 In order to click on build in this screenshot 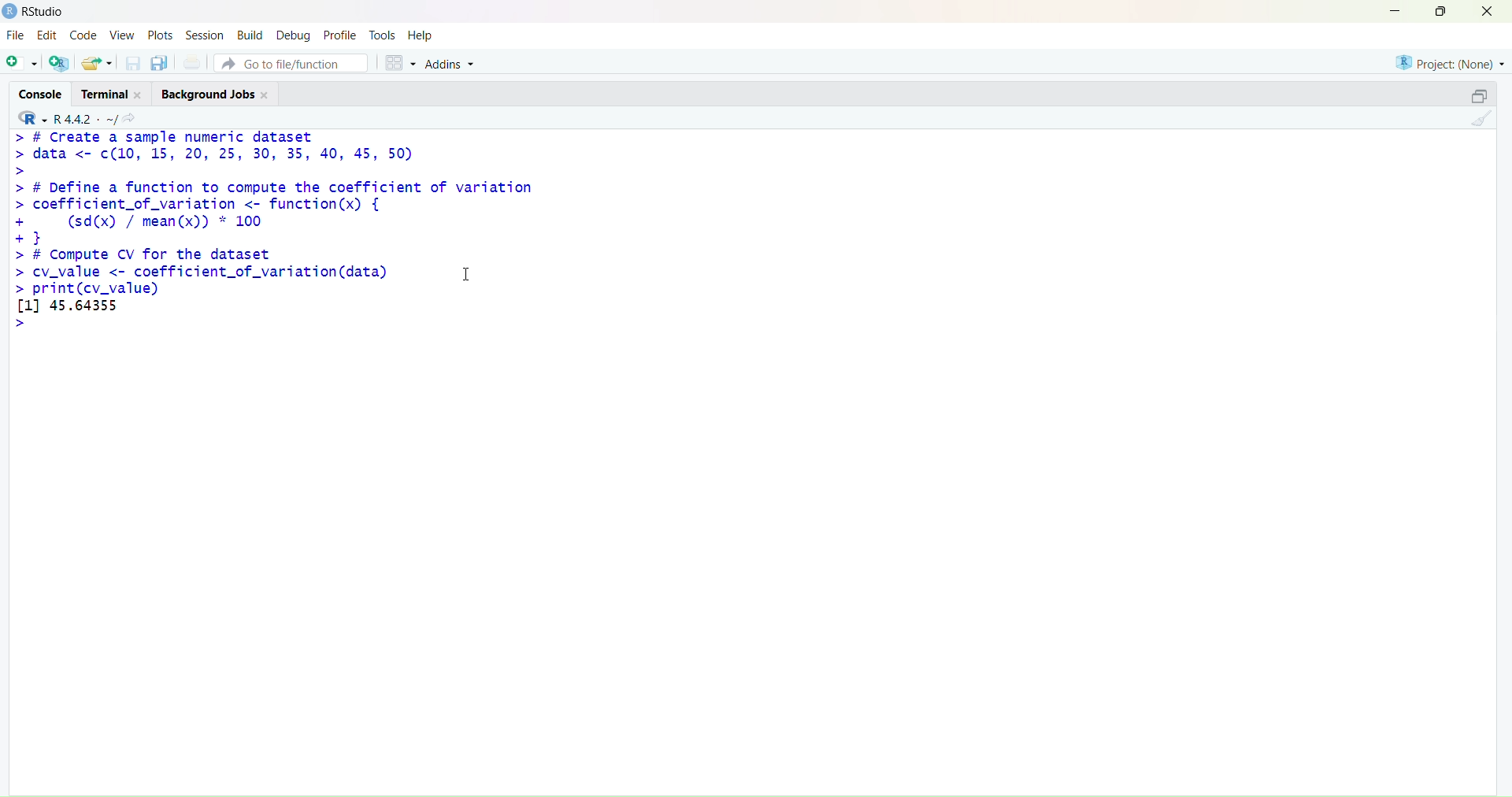, I will do `click(250, 35)`.